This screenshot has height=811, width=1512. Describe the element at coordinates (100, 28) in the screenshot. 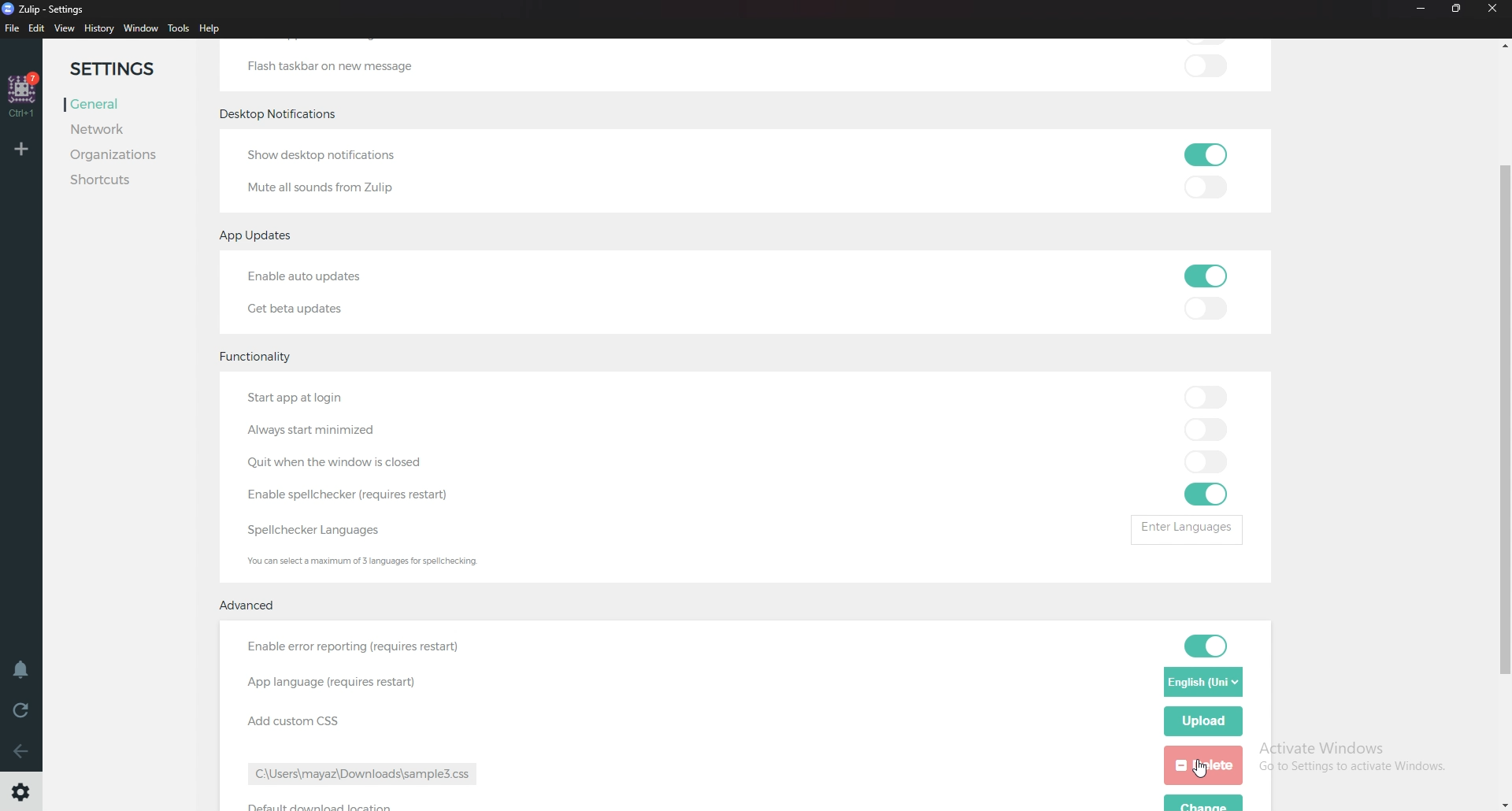

I see `History` at that location.